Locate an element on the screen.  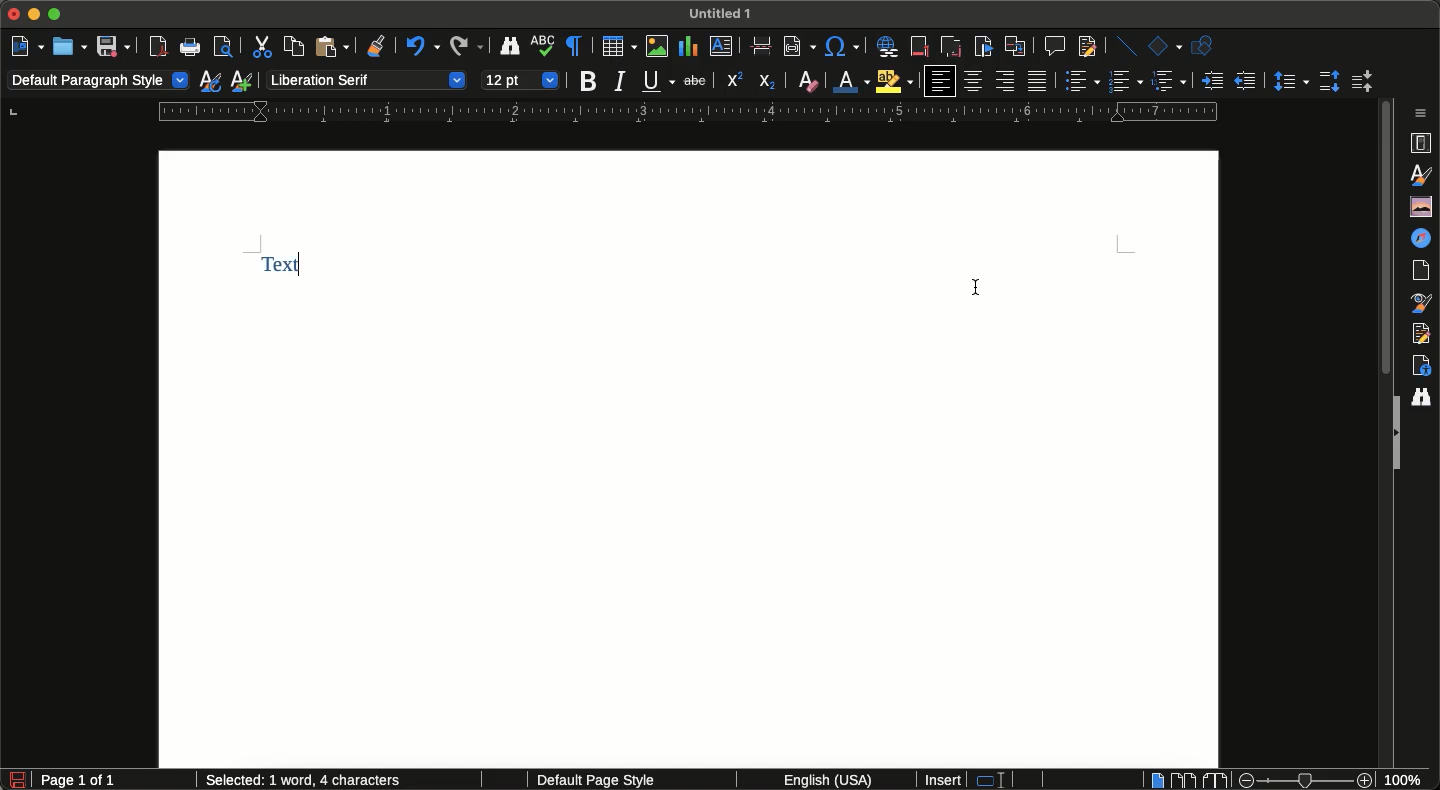
Maximize is located at coordinates (57, 14).